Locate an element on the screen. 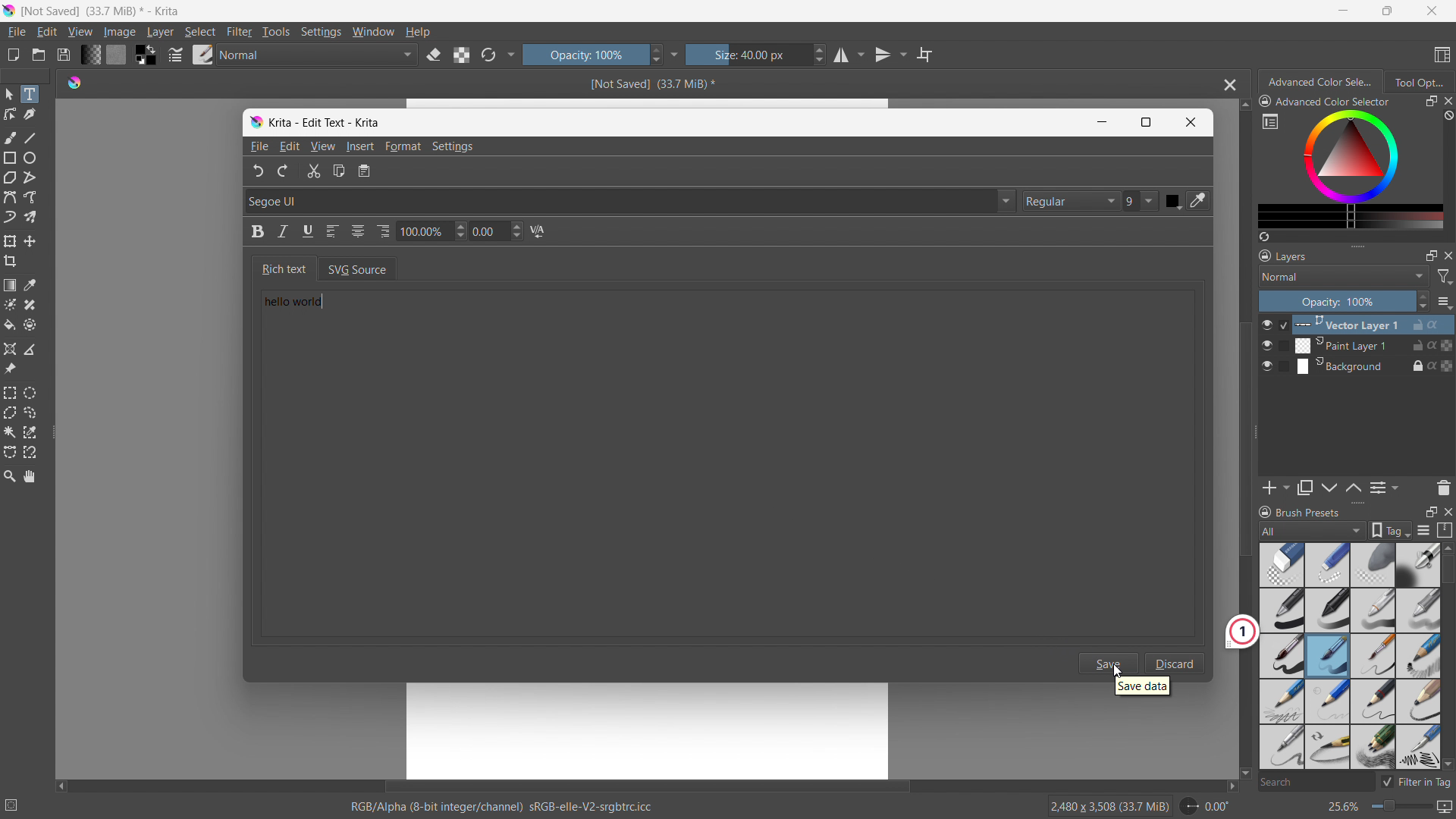 This screenshot has height=819, width=1456. same color selection tool is located at coordinates (30, 432).